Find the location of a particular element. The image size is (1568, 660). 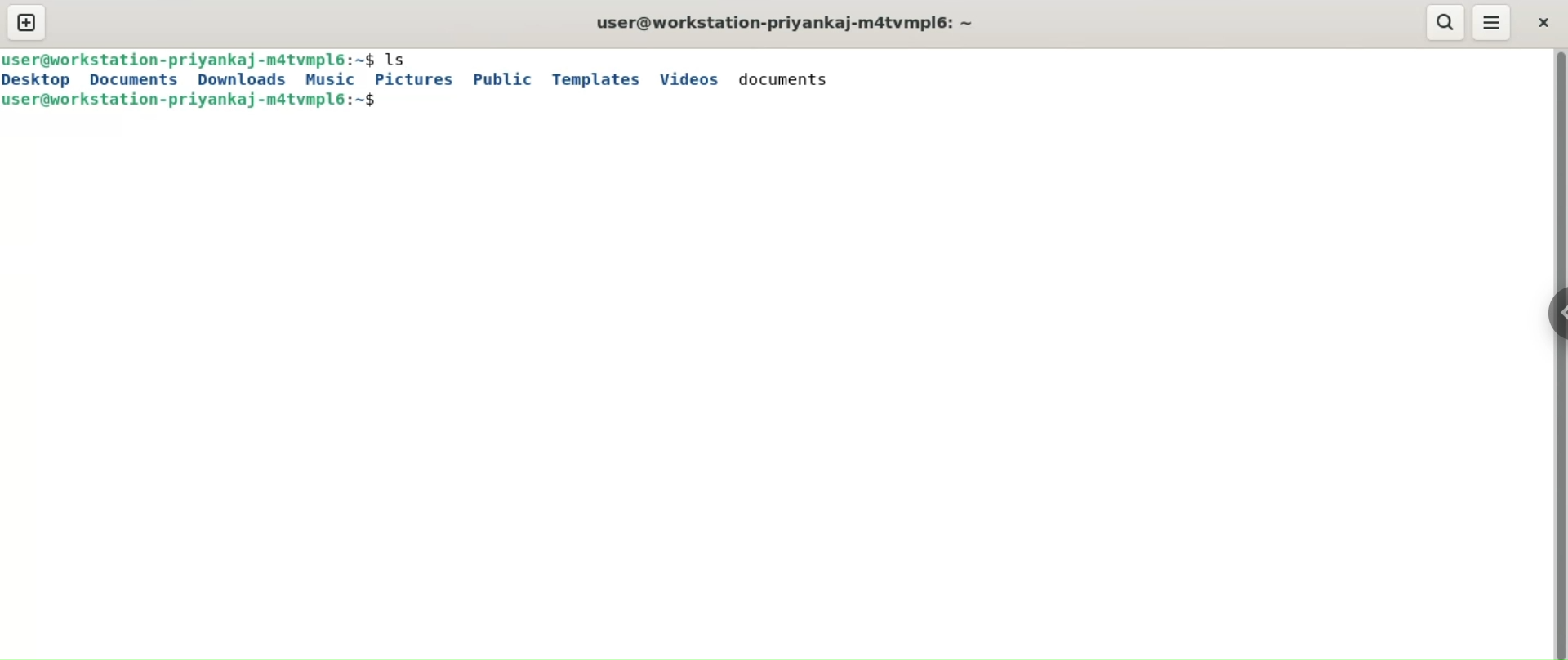

command is located at coordinates (403, 59).